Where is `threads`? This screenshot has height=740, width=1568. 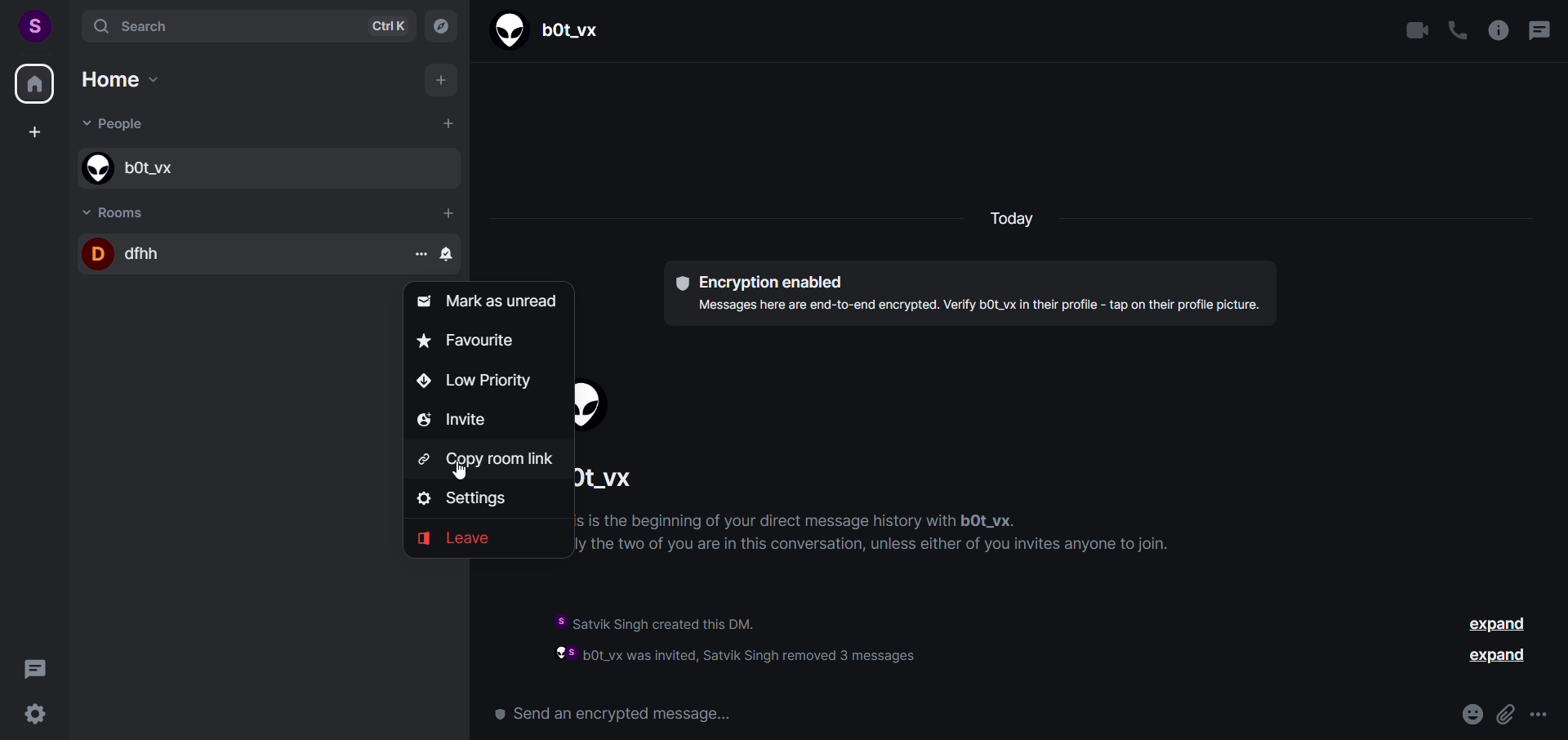
threads is located at coordinates (35, 666).